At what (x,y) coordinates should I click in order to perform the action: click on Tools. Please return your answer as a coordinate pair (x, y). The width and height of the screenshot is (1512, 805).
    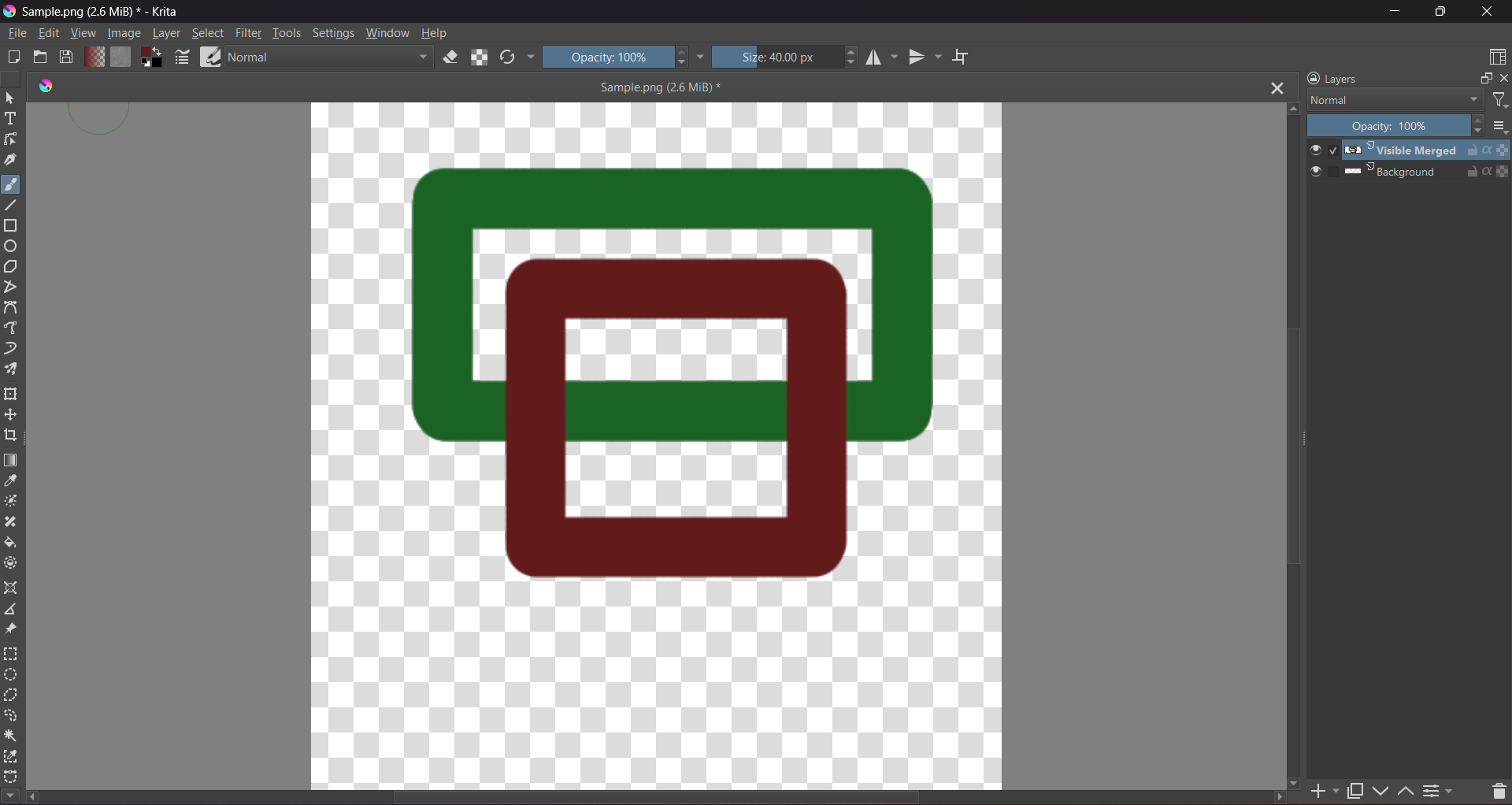
    Looking at the image, I should click on (287, 32).